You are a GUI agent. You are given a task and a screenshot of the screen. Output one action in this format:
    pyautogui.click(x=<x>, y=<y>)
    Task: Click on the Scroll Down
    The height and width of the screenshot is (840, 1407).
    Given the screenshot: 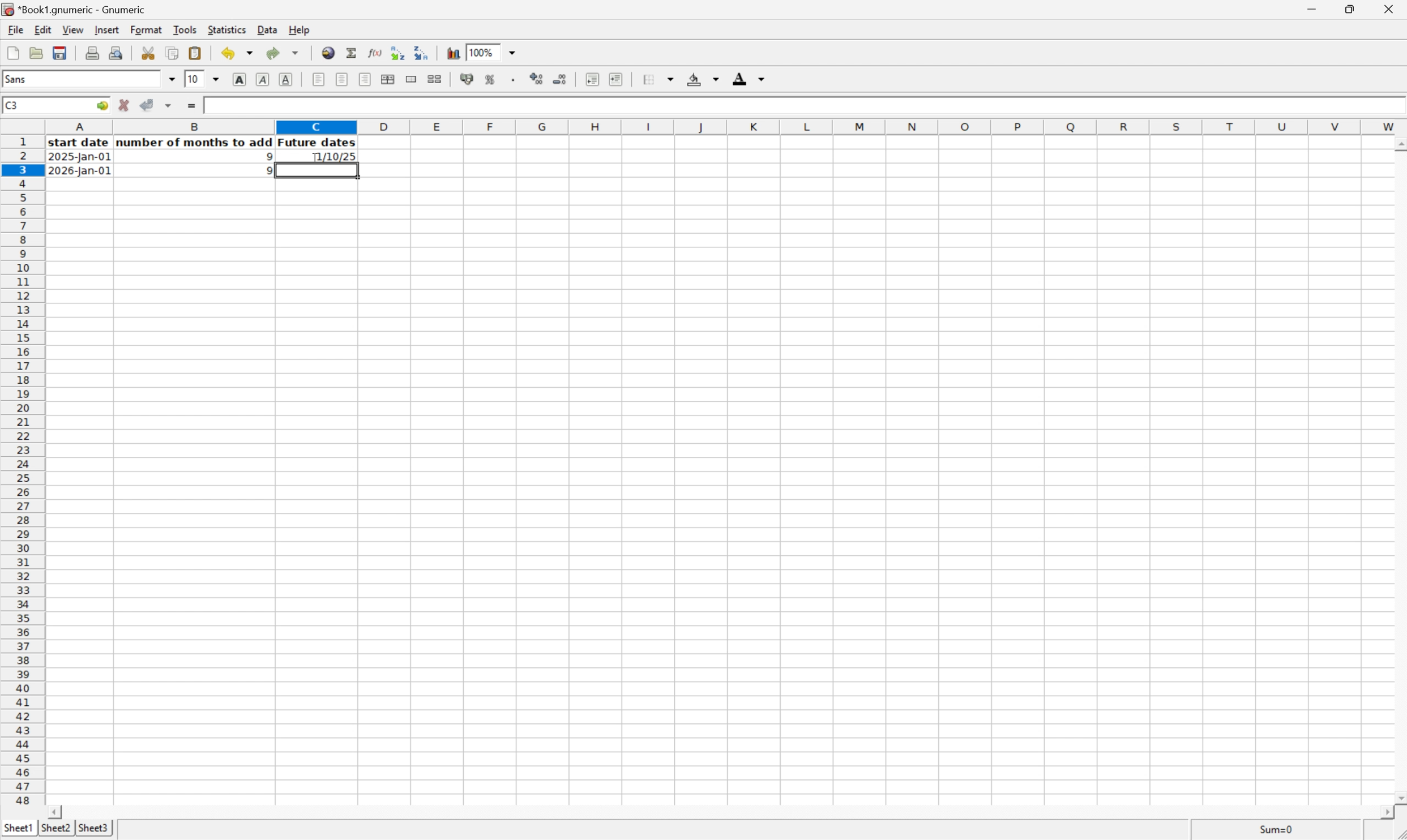 What is the action you would take?
    pyautogui.click(x=1398, y=796)
    